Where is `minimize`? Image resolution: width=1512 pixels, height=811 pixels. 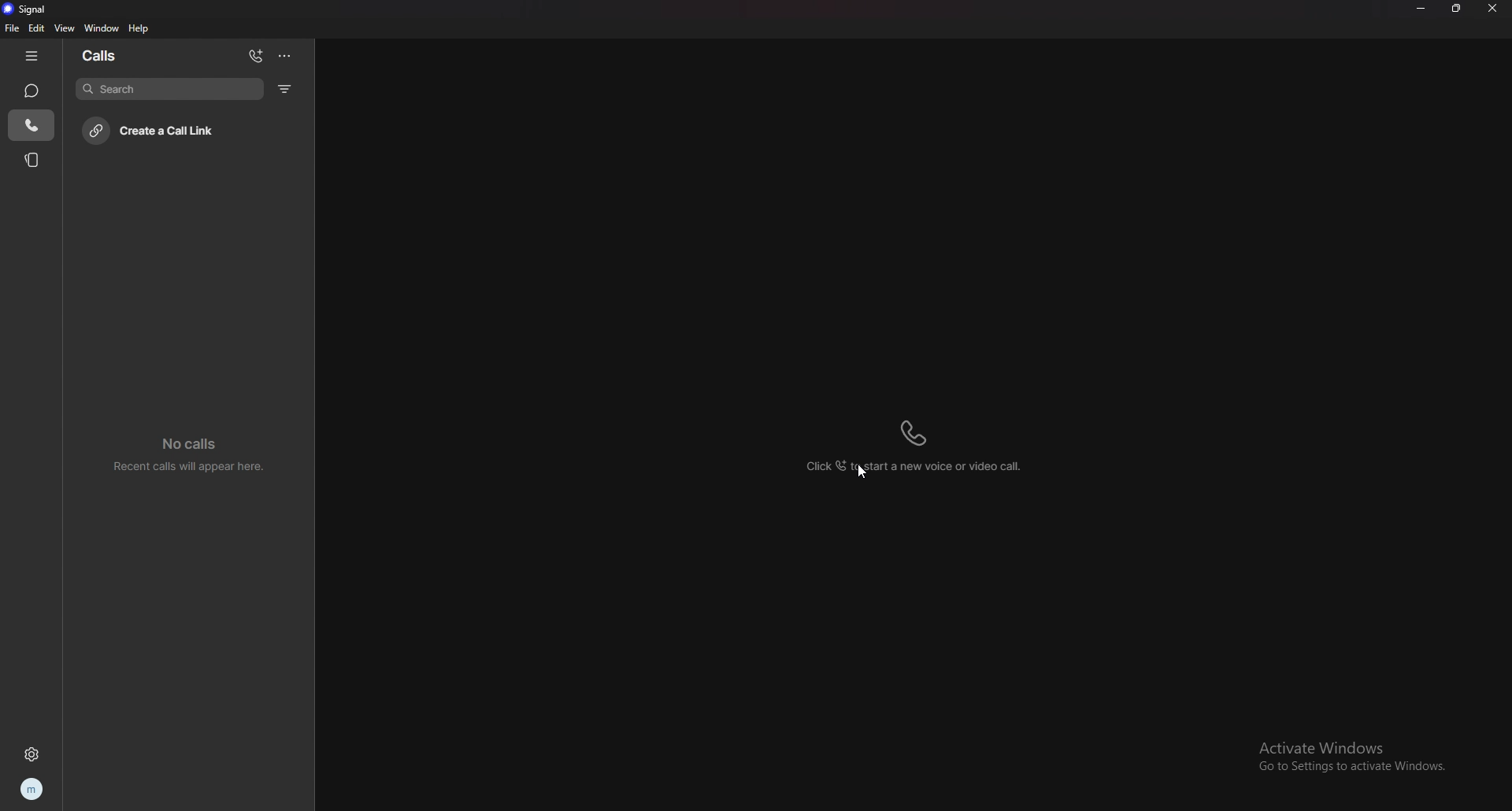
minimize is located at coordinates (1421, 7).